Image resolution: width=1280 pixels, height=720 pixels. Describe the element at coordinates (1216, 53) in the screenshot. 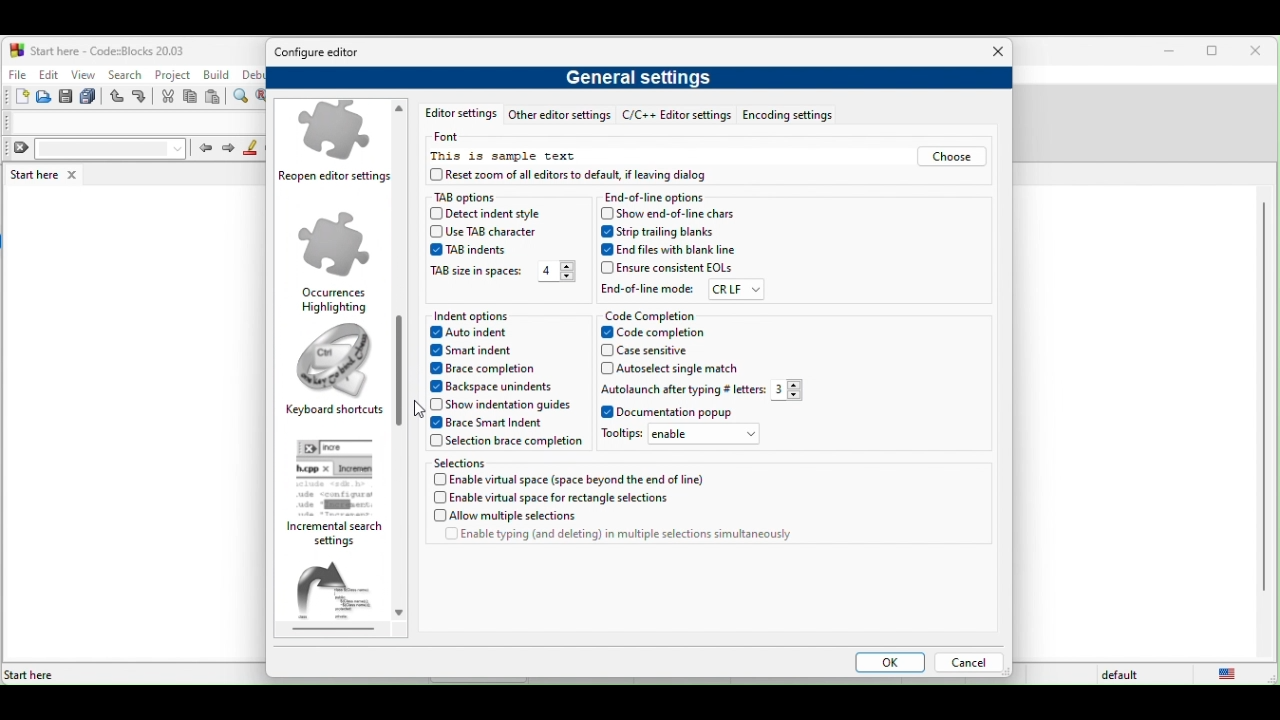

I see `maximize` at that location.